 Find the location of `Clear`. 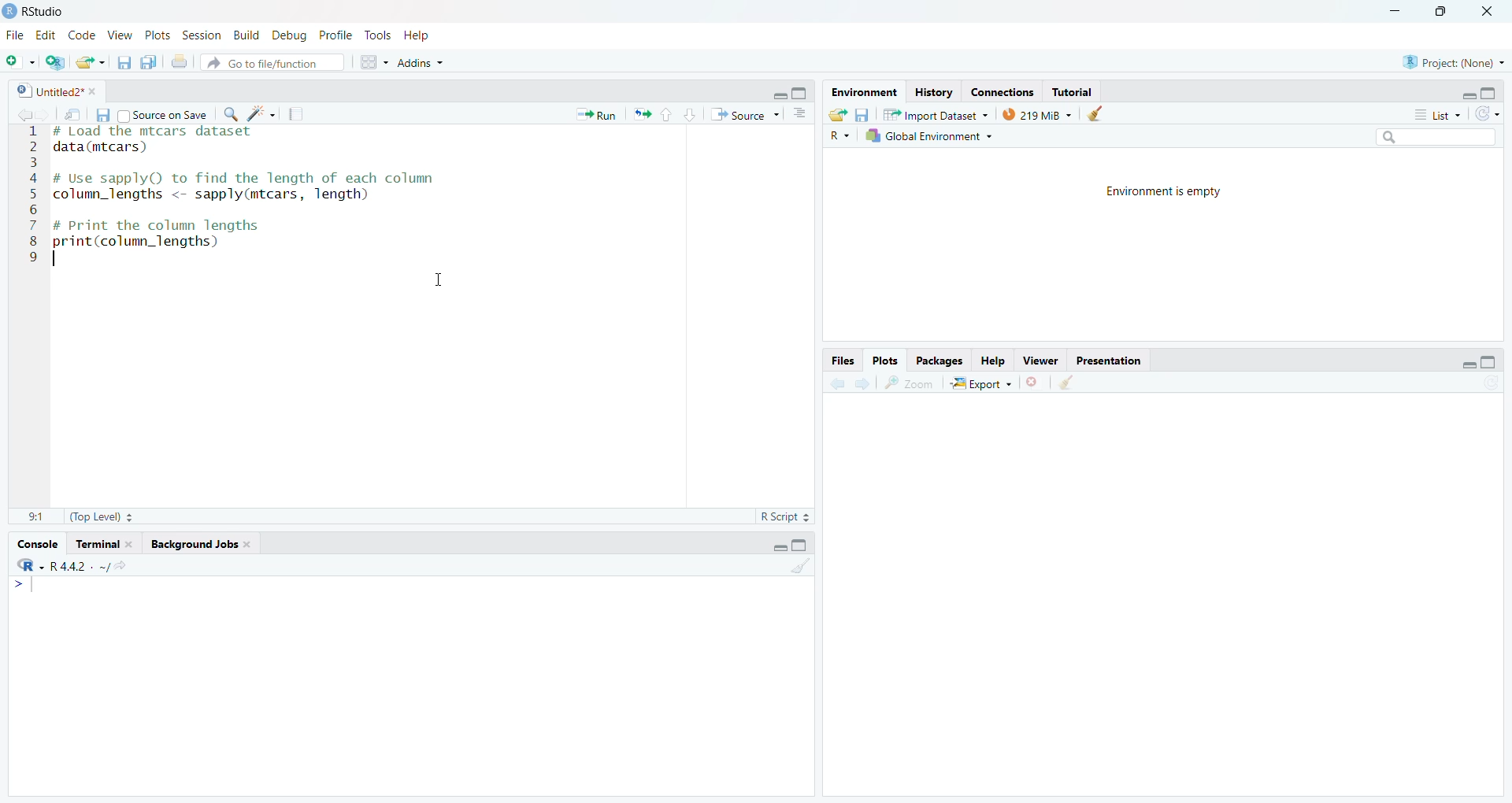

Clear is located at coordinates (1100, 113).